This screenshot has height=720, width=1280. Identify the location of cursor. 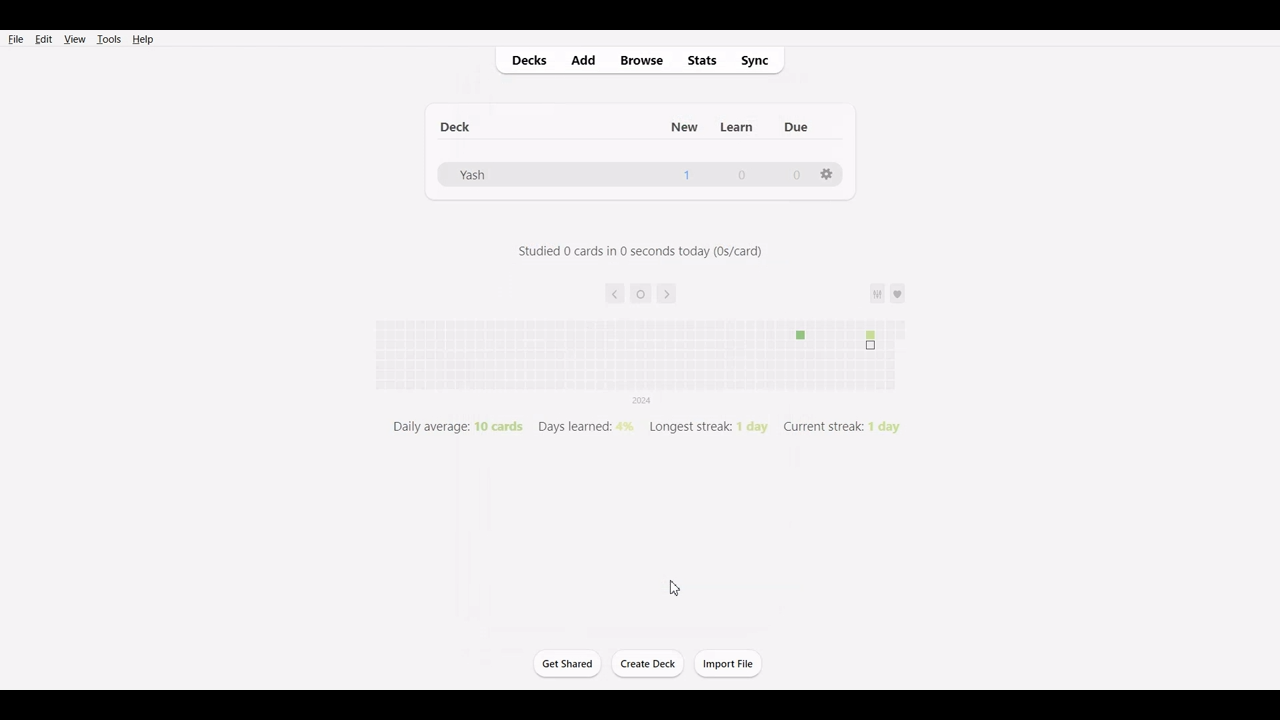
(675, 587).